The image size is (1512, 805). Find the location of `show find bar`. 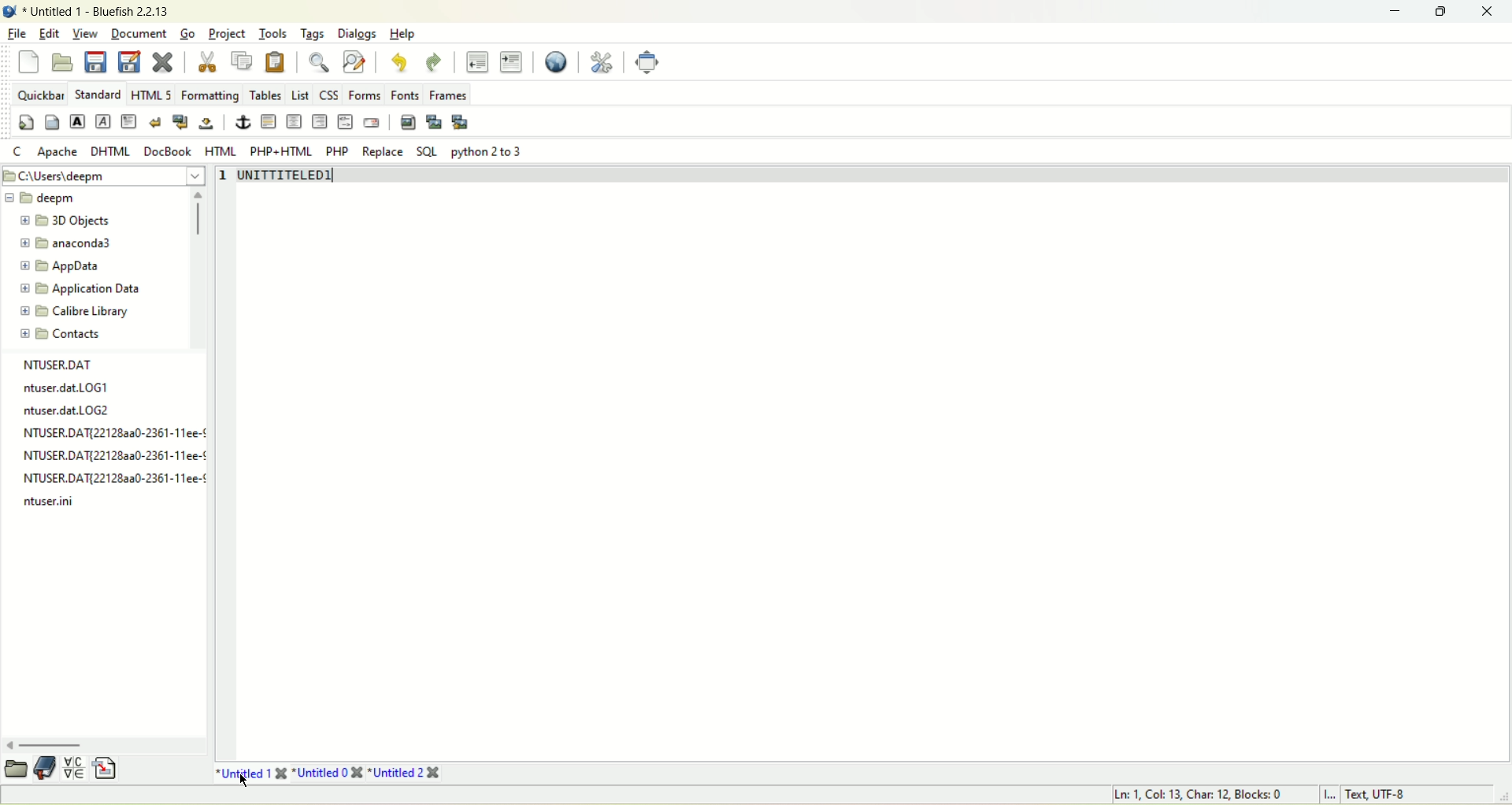

show find bar is located at coordinates (317, 61).